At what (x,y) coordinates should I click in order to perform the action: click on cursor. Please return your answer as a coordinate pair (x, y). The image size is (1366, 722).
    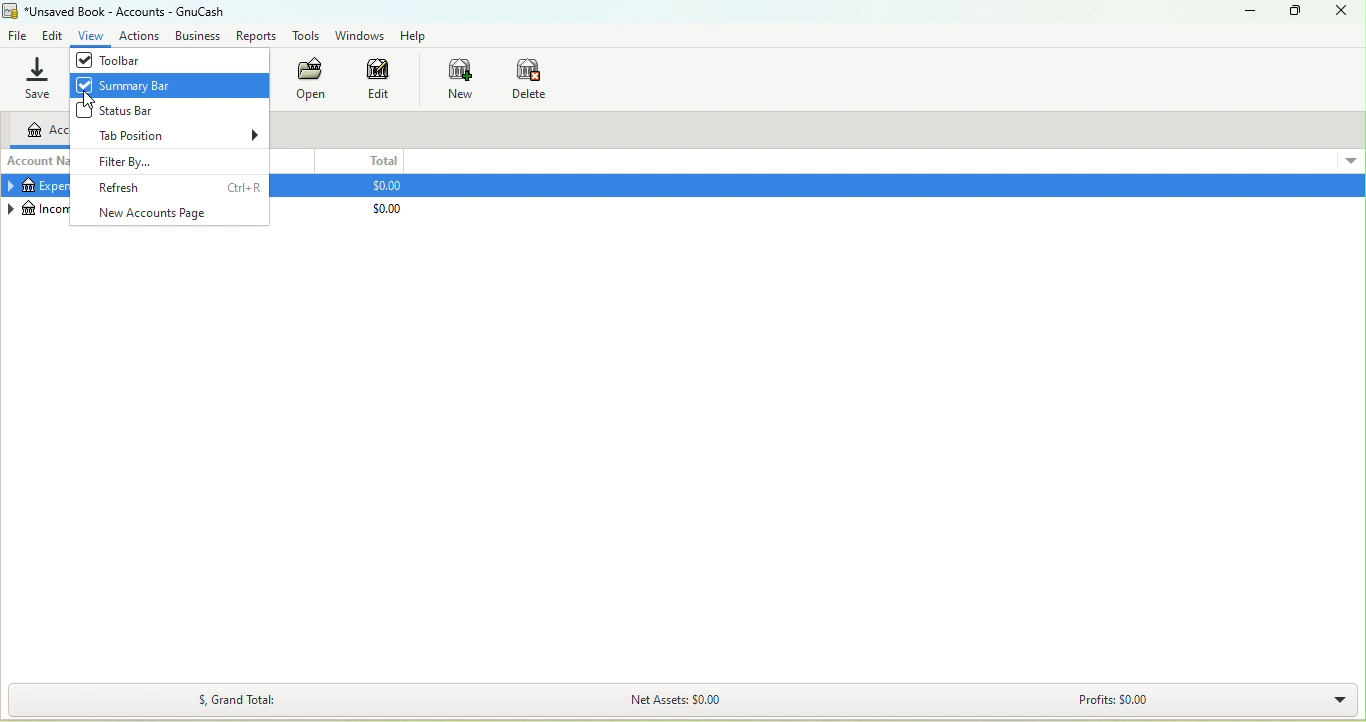
    Looking at the image, I should click on (97, 101).